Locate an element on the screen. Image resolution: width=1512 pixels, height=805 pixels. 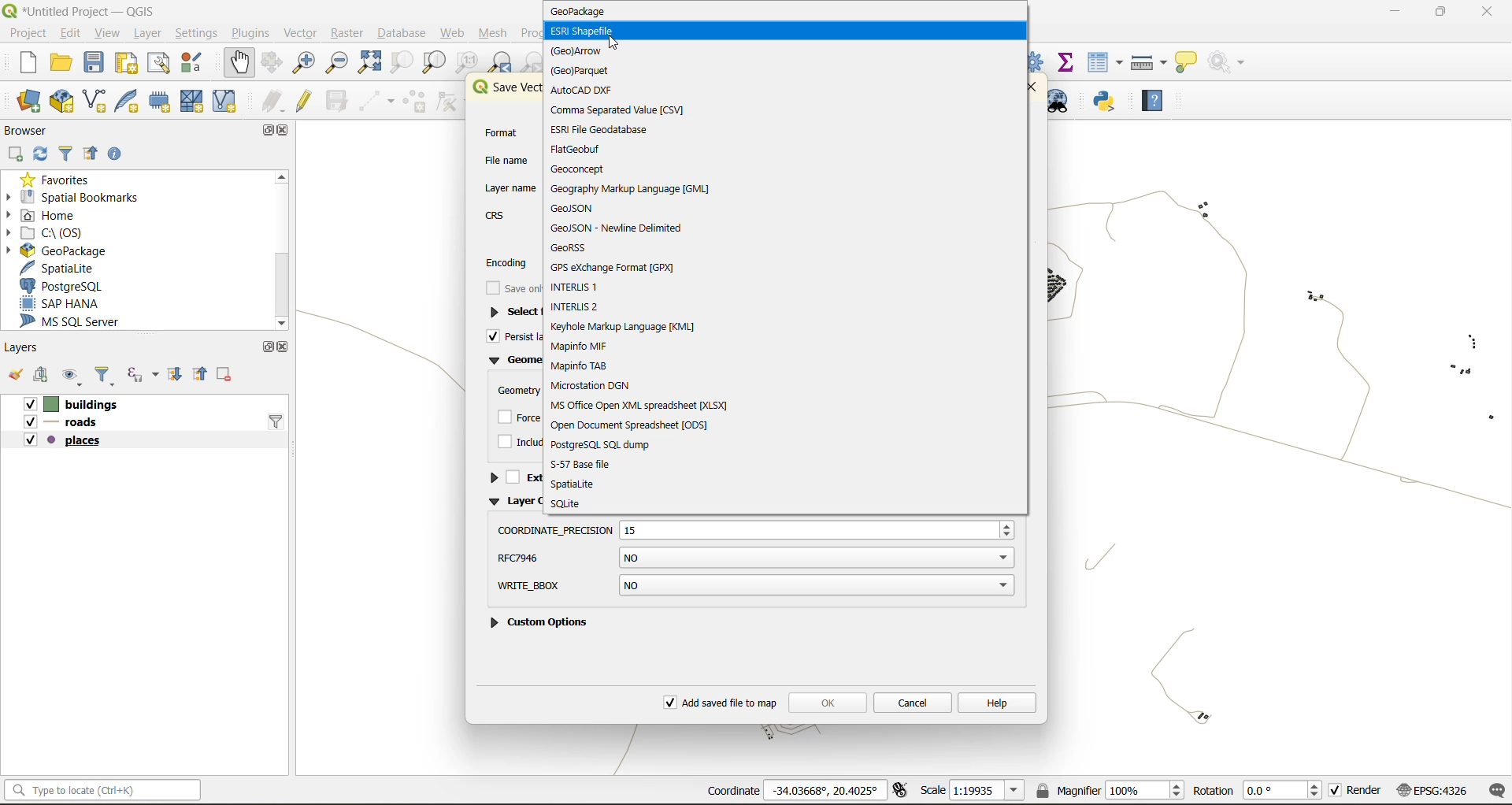
mapinfo tab is located at coordinates (584, 368).